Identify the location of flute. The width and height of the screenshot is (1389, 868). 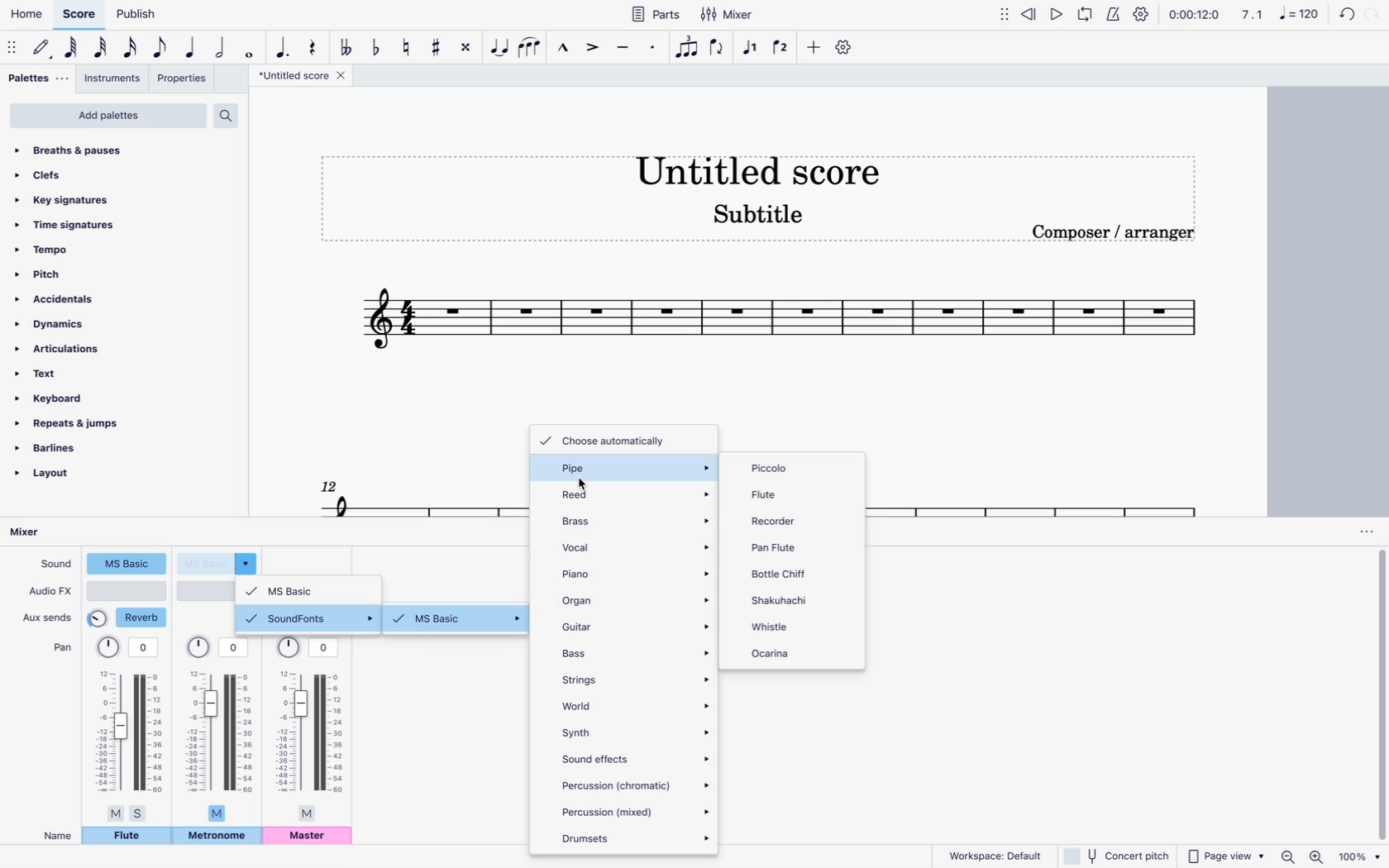
(785, 493).